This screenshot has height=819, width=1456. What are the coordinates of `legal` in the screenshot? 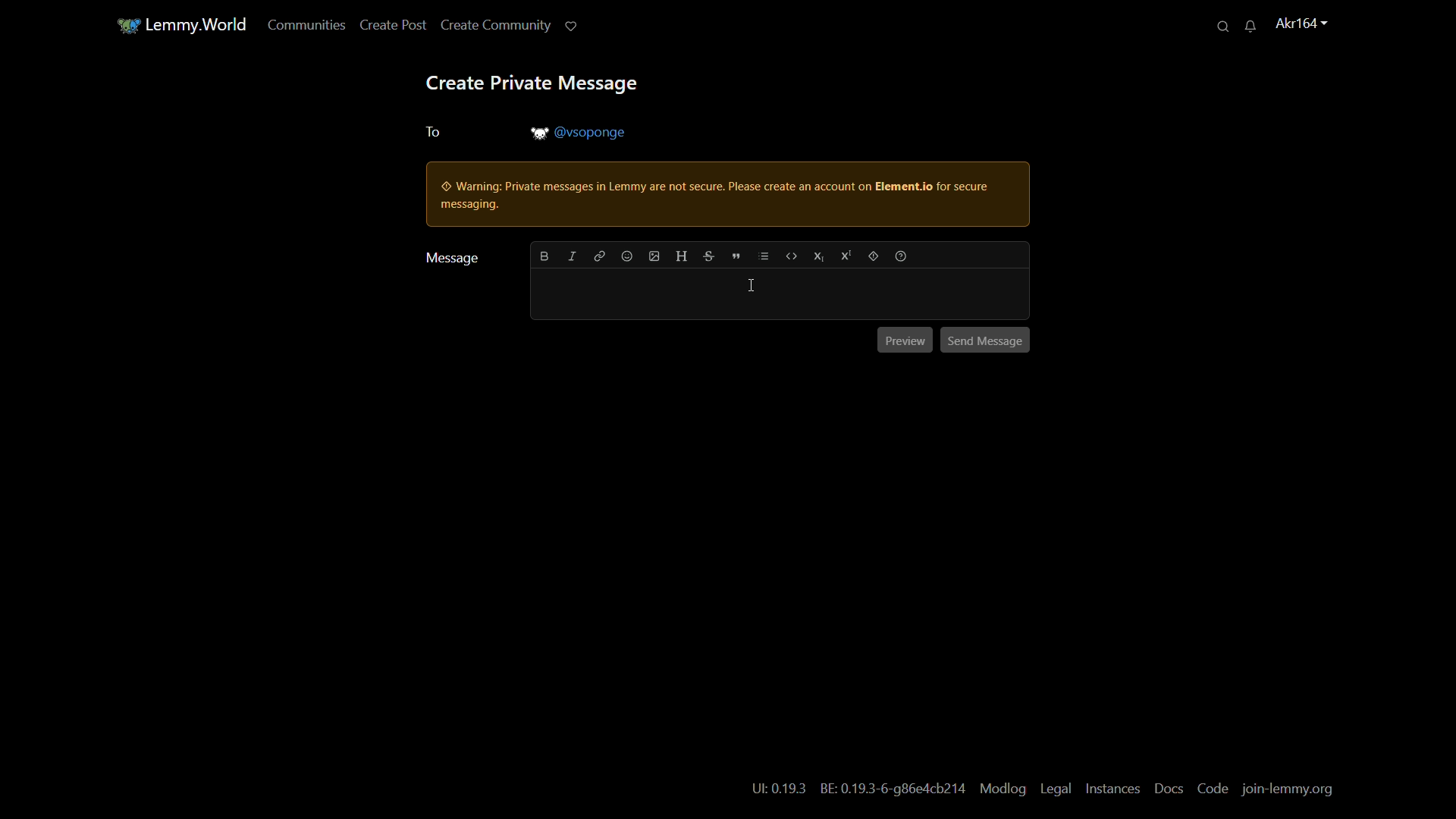 It's located at (1054, 789).